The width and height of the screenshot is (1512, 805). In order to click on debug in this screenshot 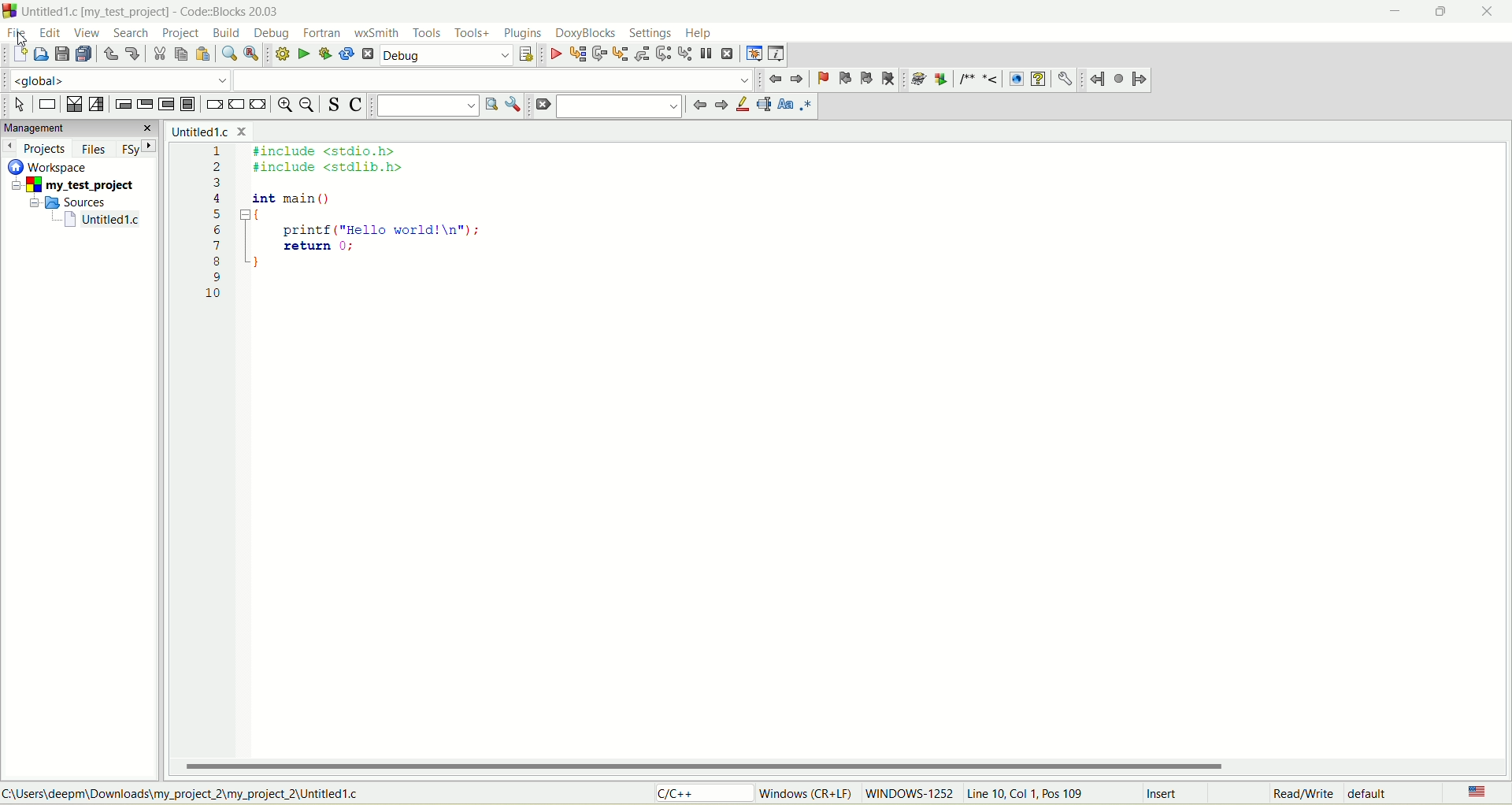, I will do `click(273, 33)`.